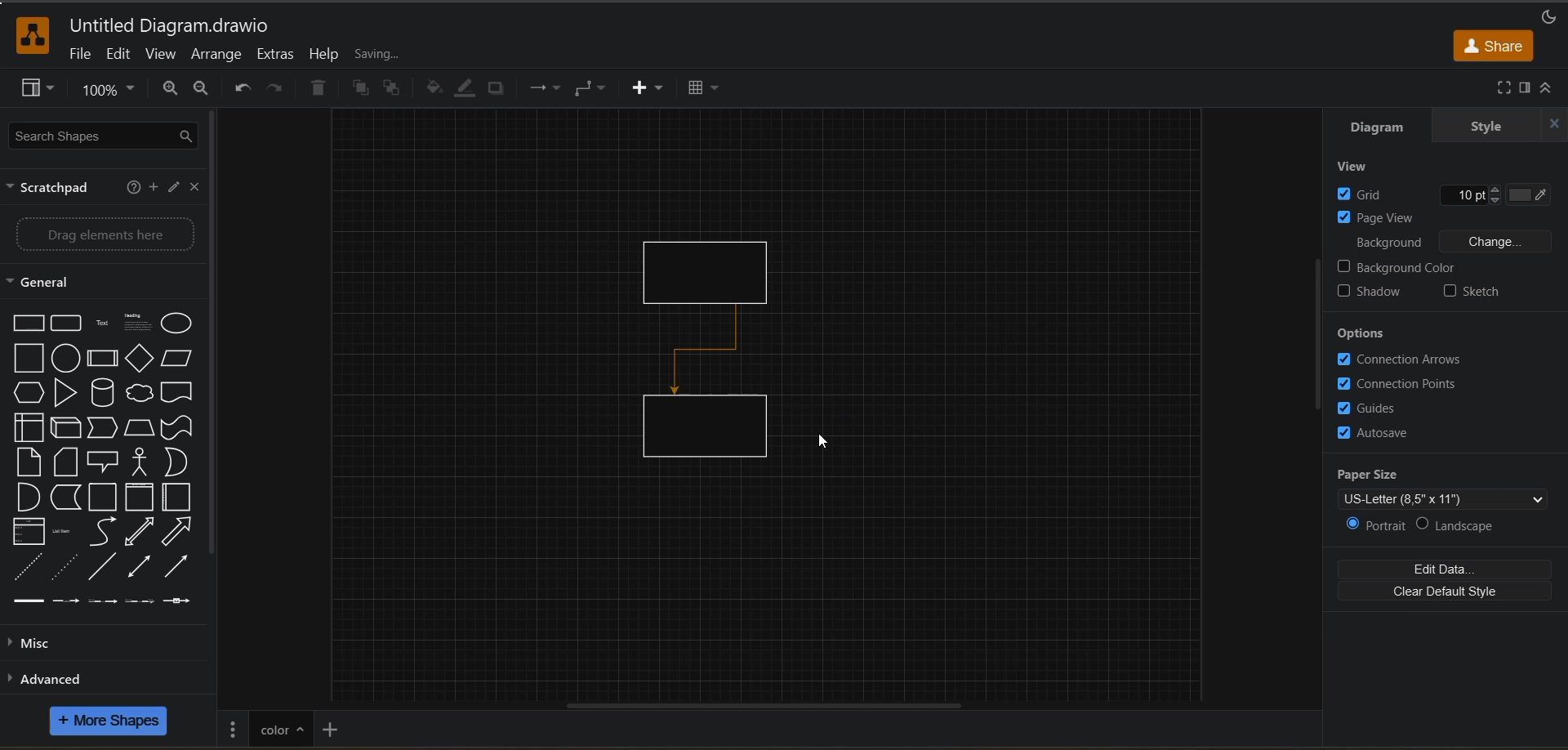 The width and height of the screenshot is (1568, 750). What do you see at coordinates (108, 461) in the screenshot?
I see `Callout` at bounding box center [108, 461].